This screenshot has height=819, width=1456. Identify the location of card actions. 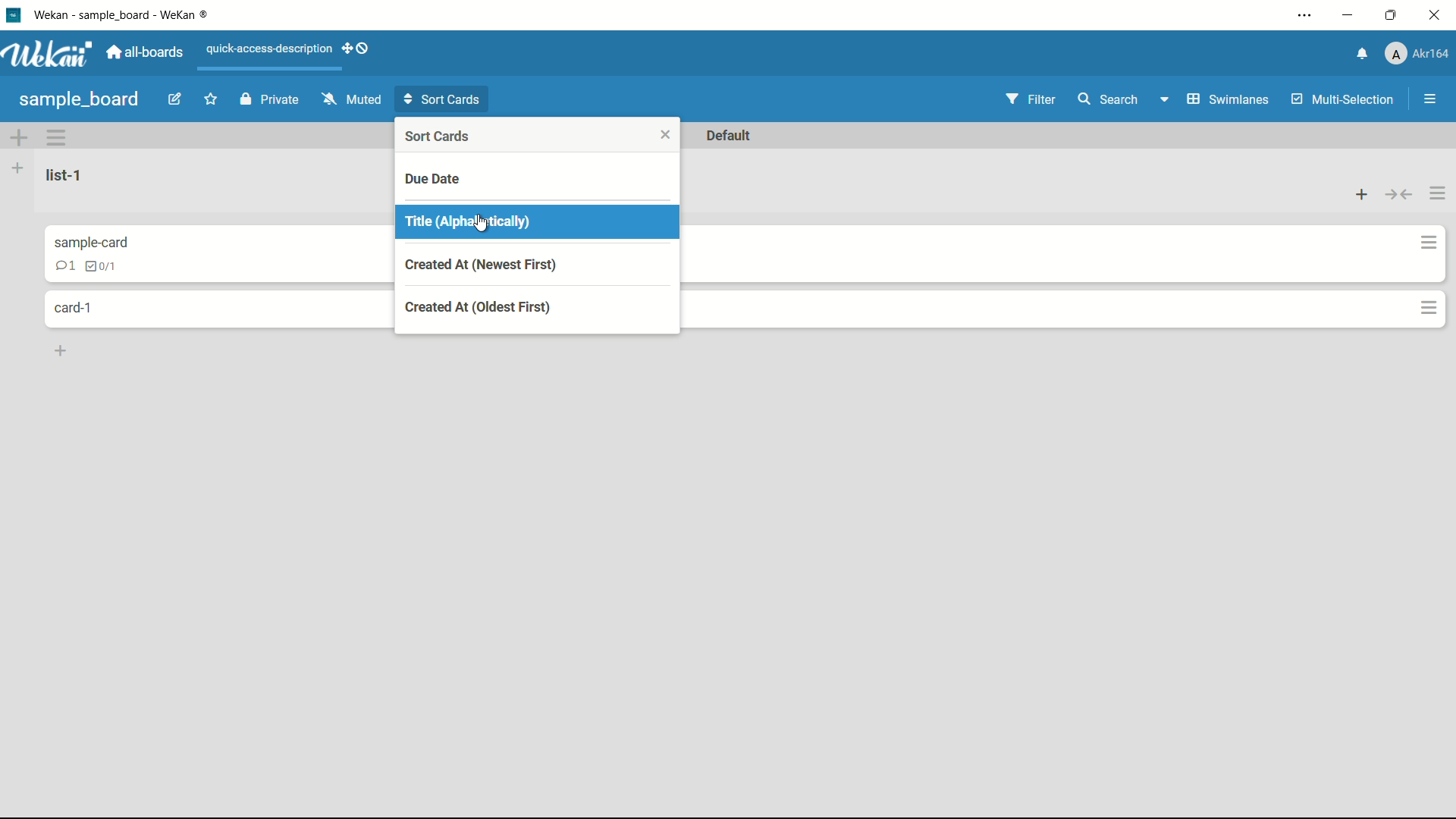
(1429, 242).